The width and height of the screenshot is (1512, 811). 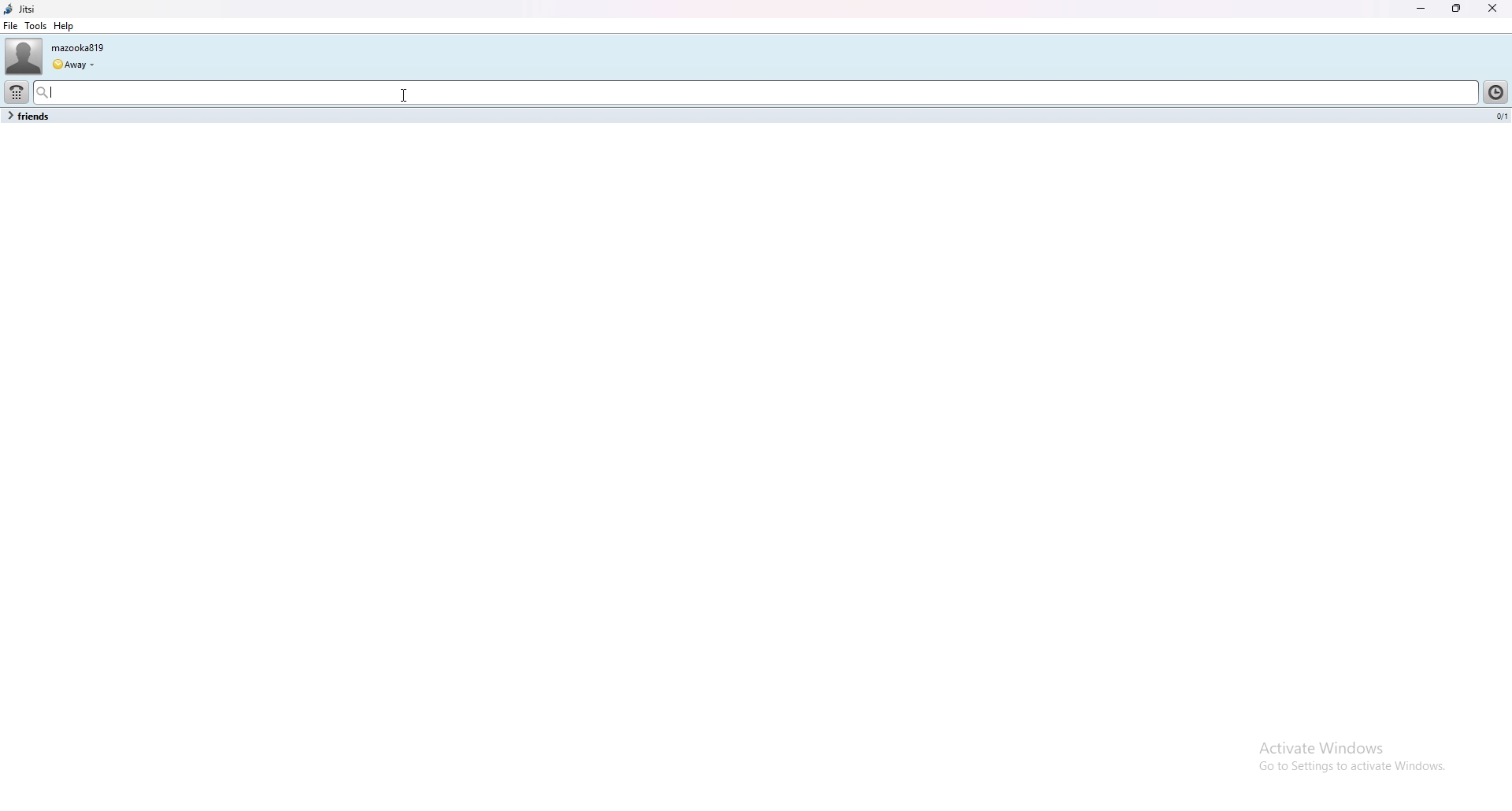 I want to click on tools, so click(x=36, y=26).